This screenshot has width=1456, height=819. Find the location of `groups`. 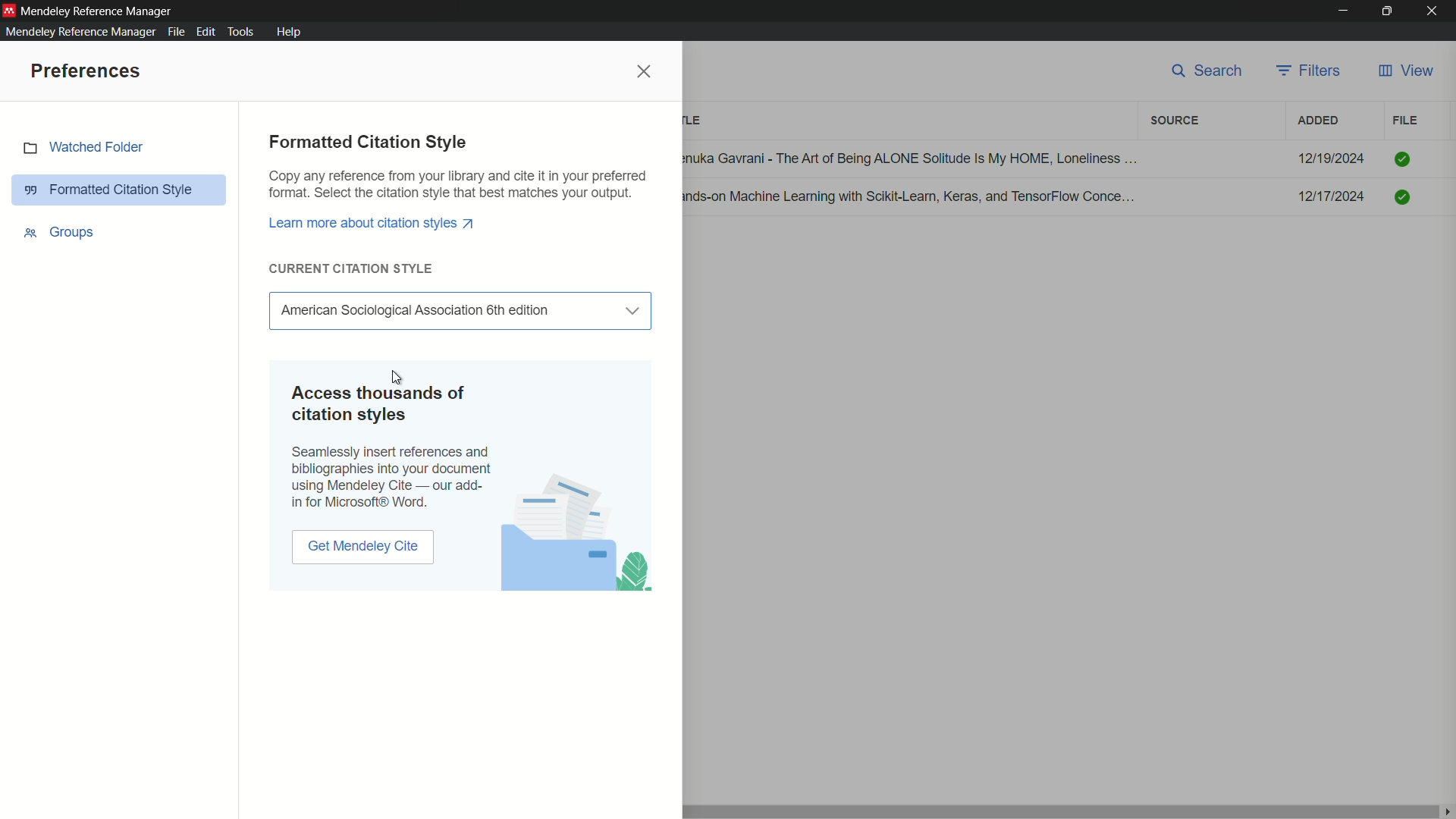

groups is located at coordinates (60, 231).